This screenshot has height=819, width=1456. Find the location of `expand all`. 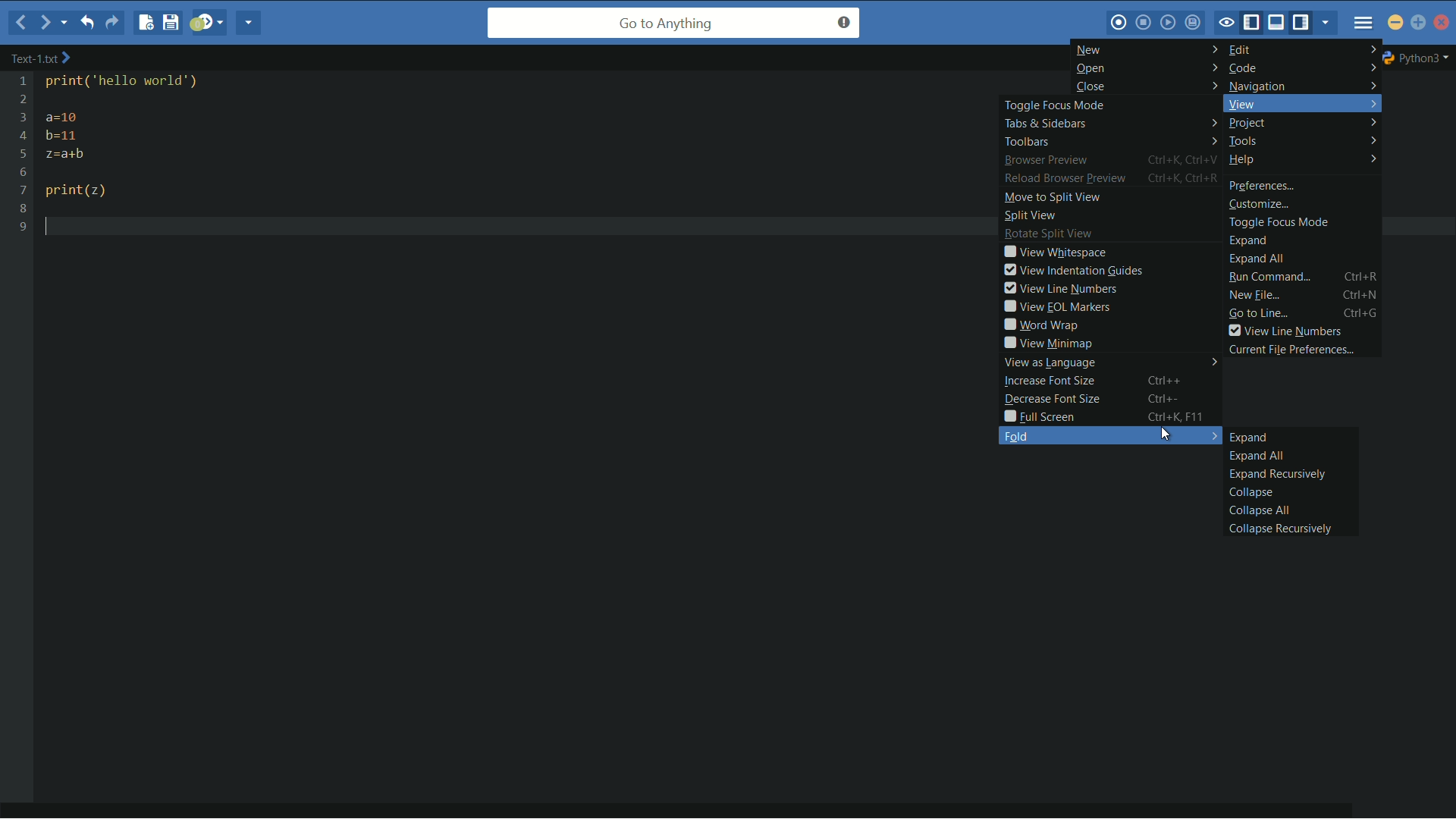

expand all is located at coordinates (1261, 259).